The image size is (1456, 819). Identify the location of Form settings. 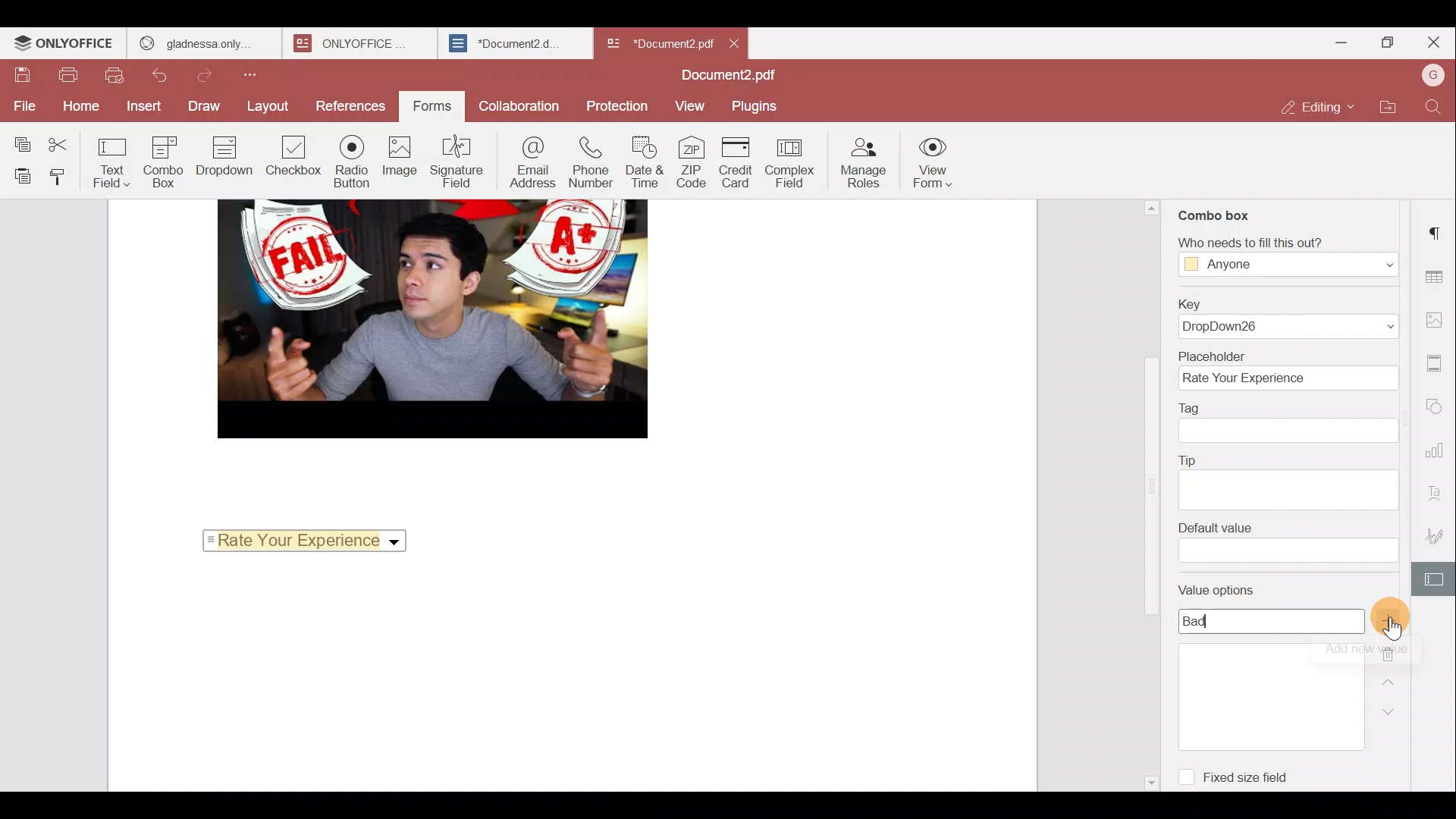
(1435, 579).